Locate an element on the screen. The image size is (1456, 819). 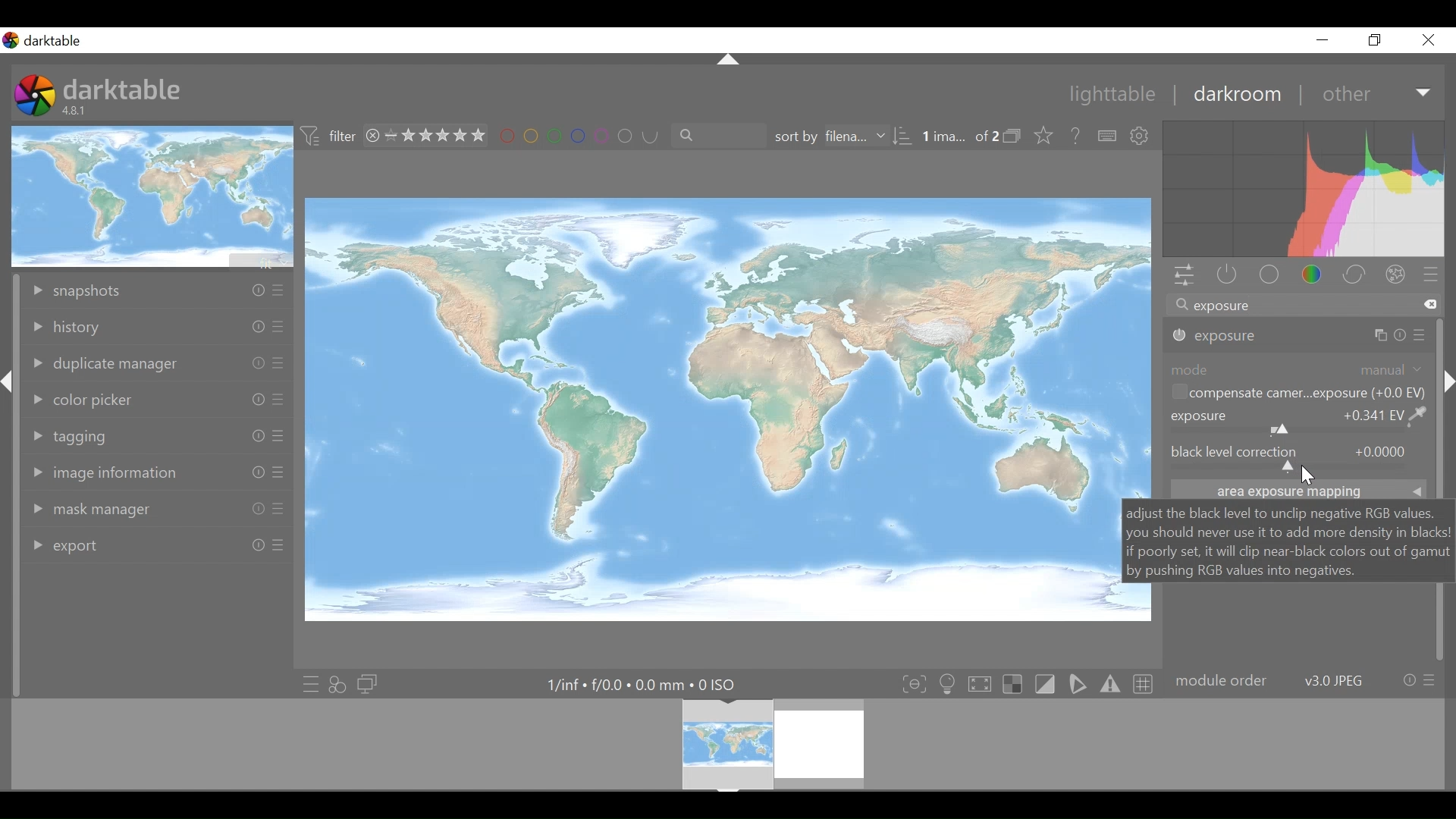
preset is located at coordinates (1431, 274).